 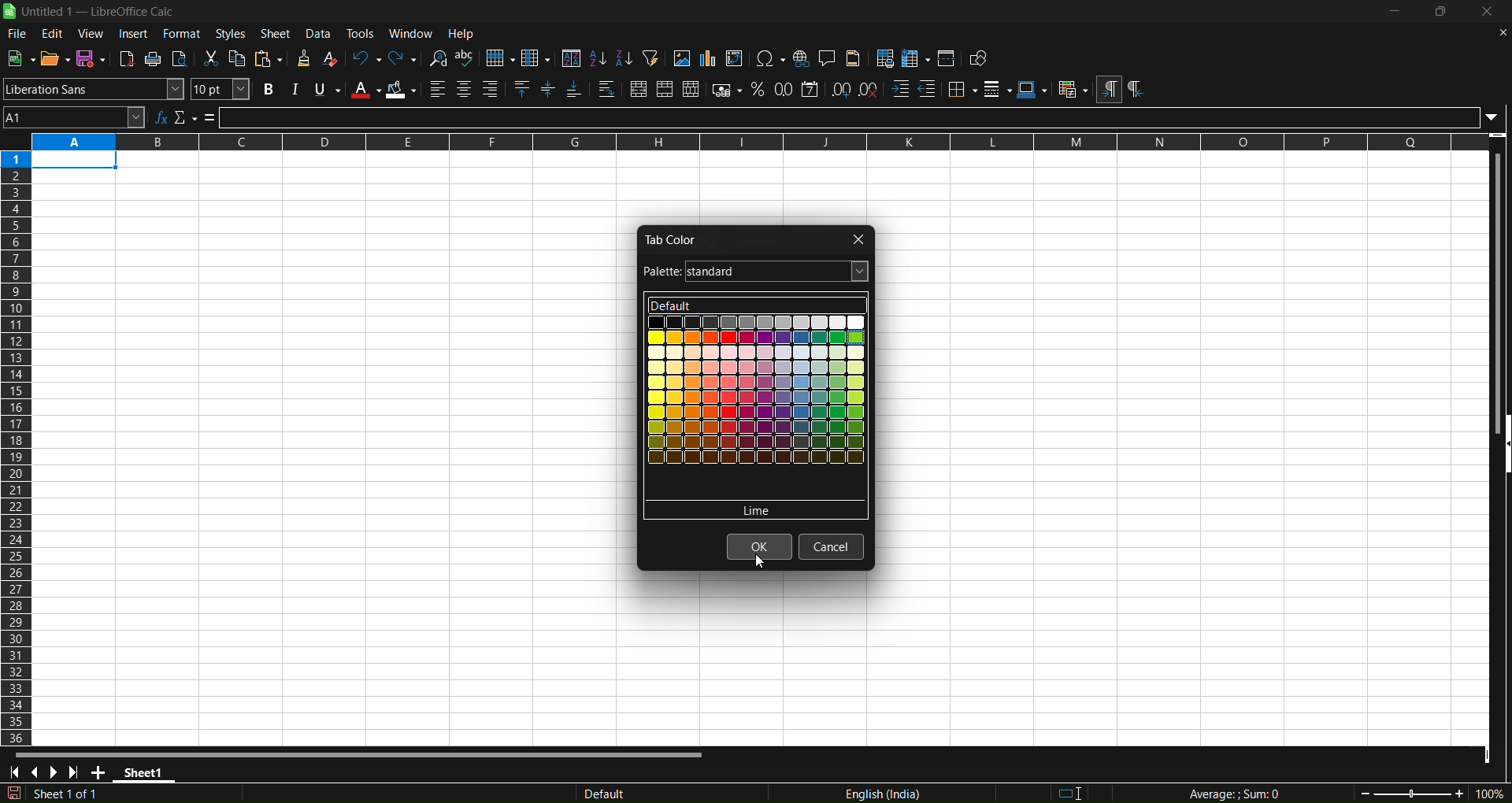 I want to click on show draw functions, so click(x=980, y=60).